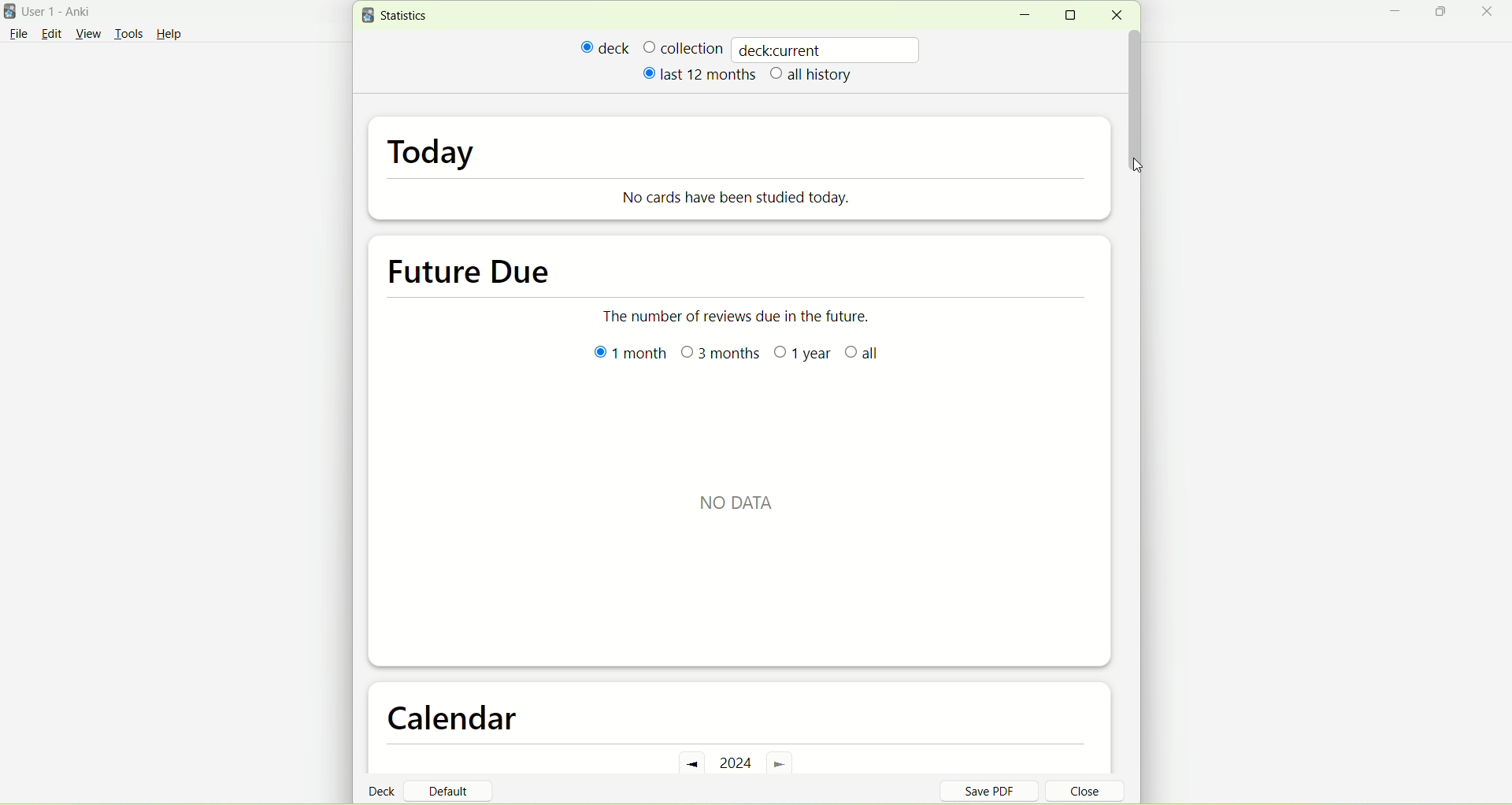  What do you see at coordinates (698, 73) in the screenshot?
I see `last 12 months` at bounding box center [698, 73].